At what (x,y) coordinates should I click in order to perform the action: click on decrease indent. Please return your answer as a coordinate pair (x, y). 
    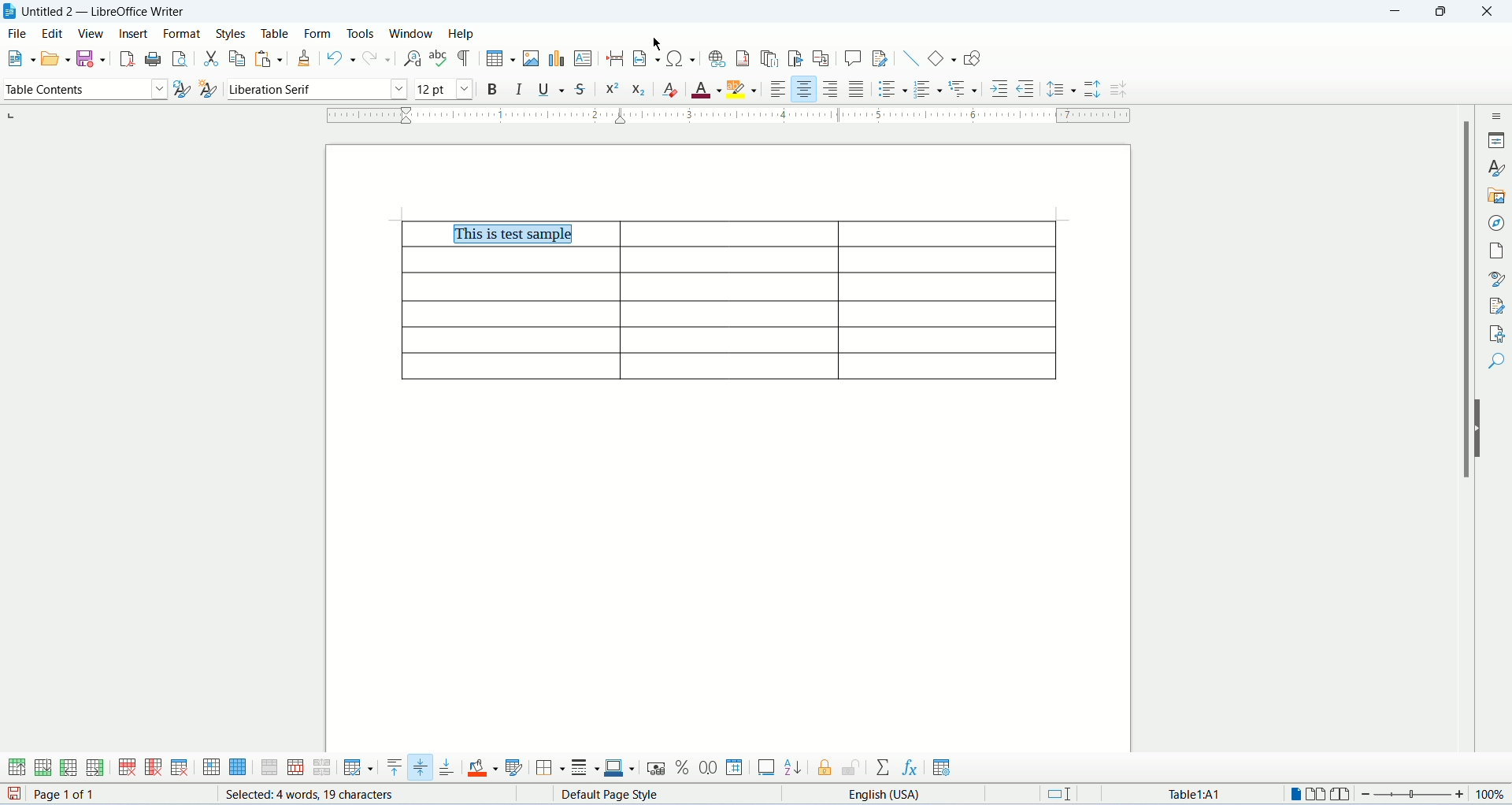
    Looking at the image, I should click on (1026, 89).